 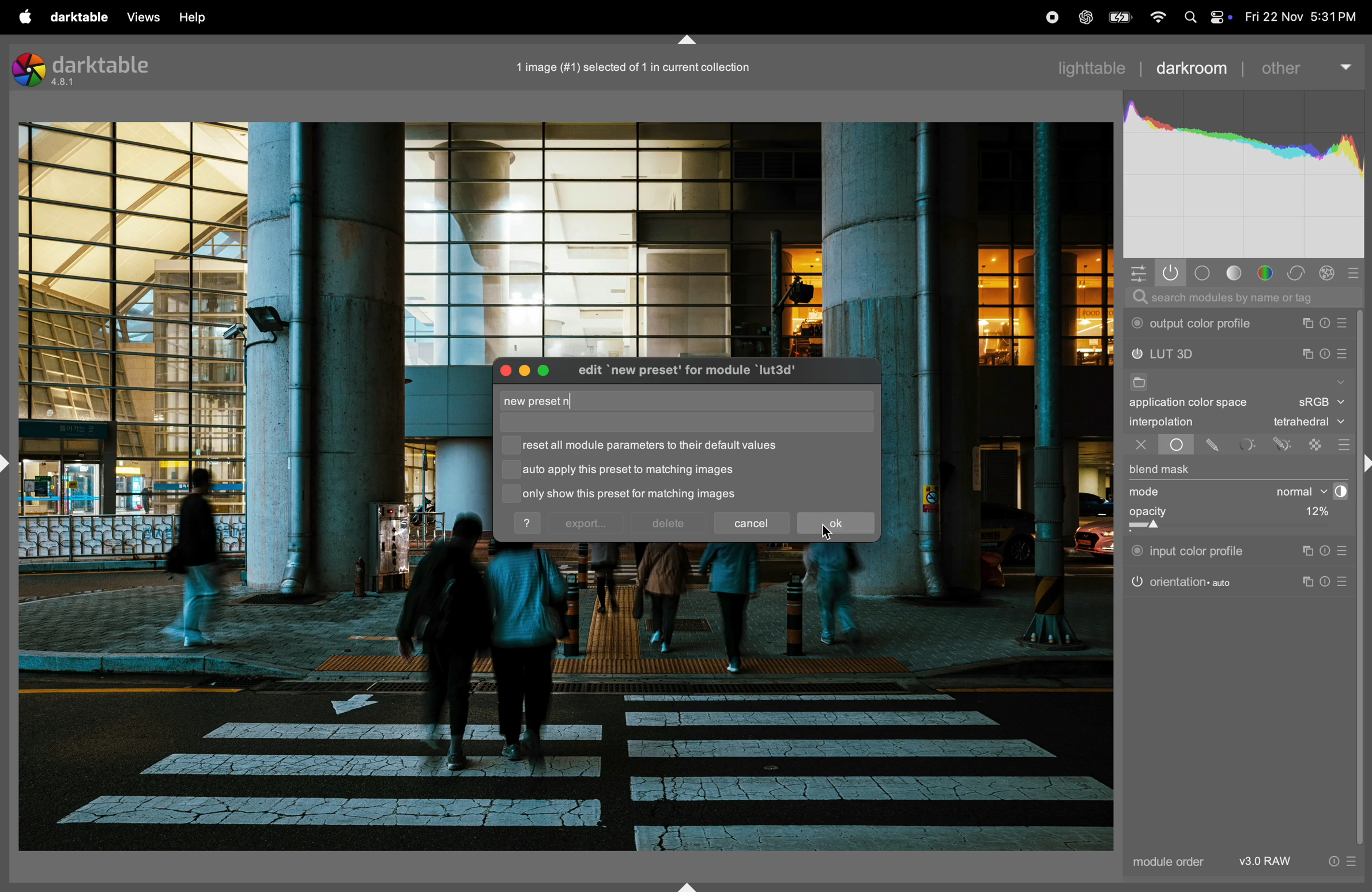 I want to click on name, so click(x=546, y=402).